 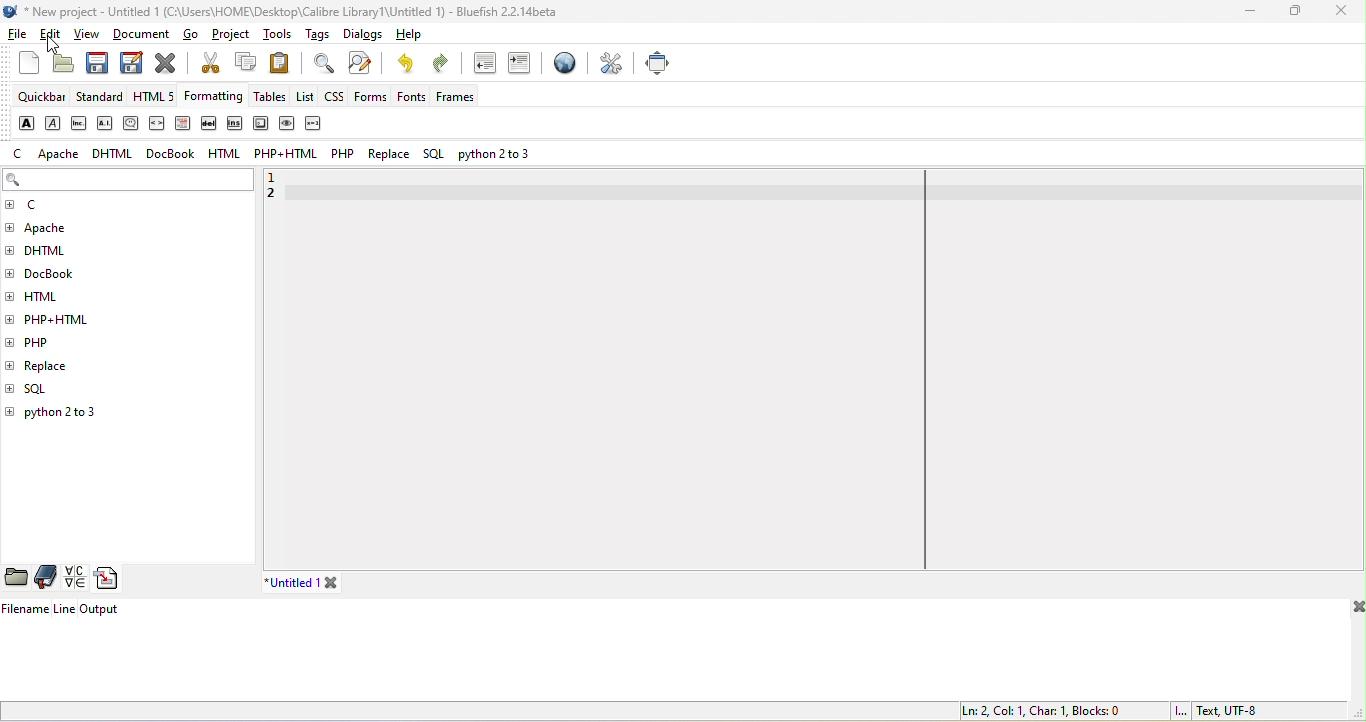 What do you see at coordinates (335, 99) in the screenshot?
I see `css` at bounding box center [335, 99].